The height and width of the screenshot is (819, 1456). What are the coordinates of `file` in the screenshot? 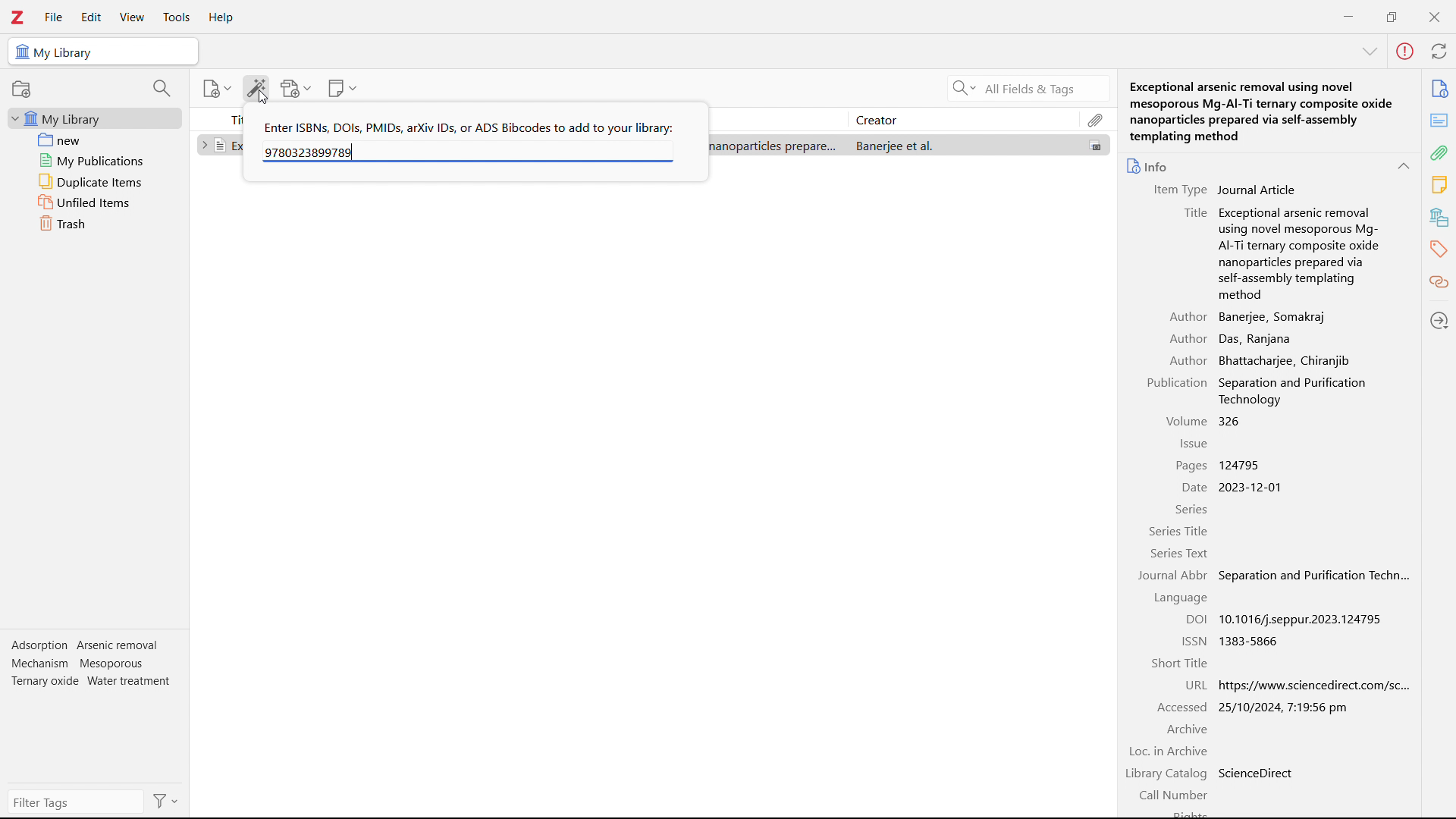 It's located at (52, 17).